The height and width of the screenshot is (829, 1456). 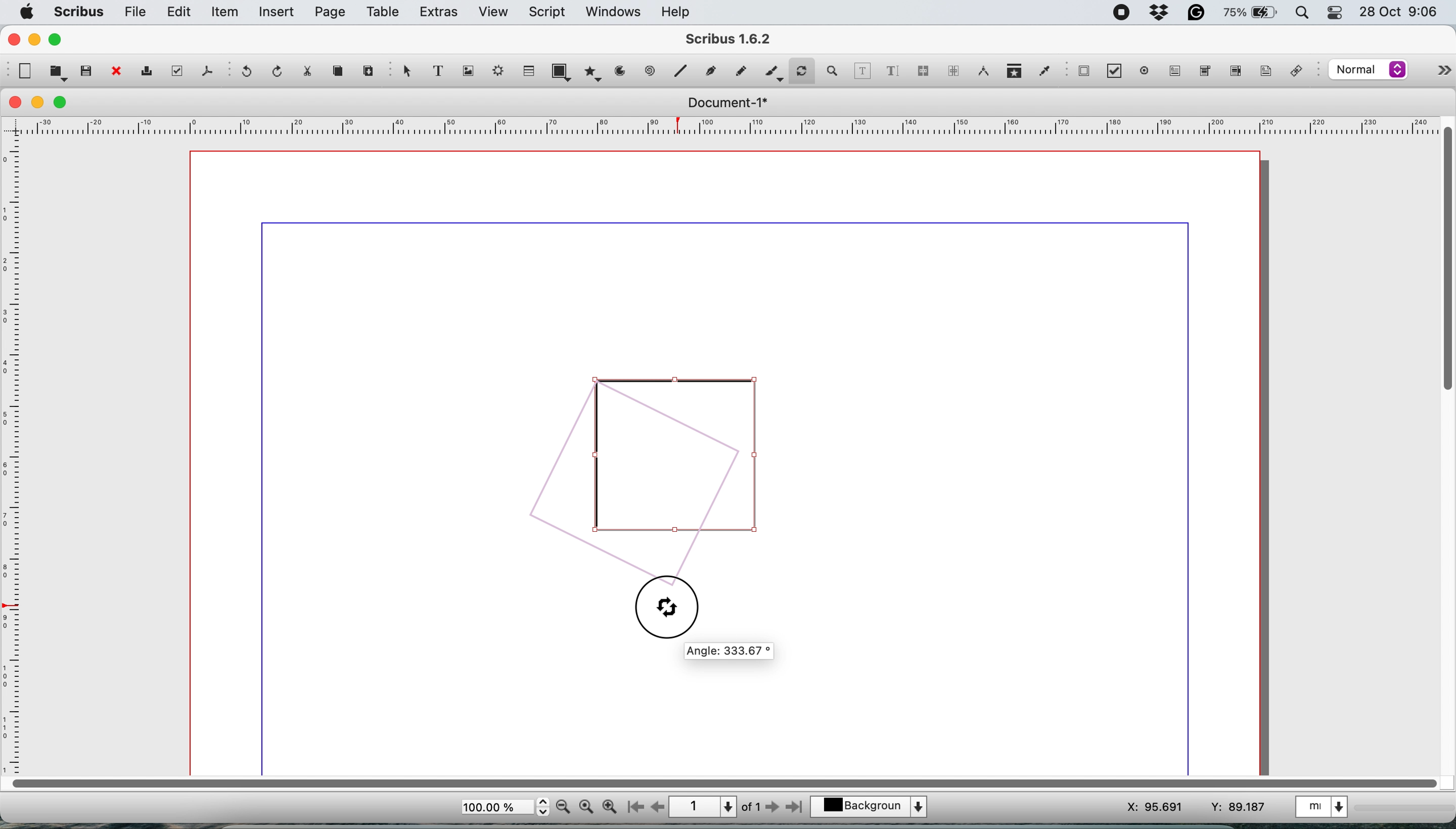 I want to click on pdf text button, so click(x=1176, y=71).